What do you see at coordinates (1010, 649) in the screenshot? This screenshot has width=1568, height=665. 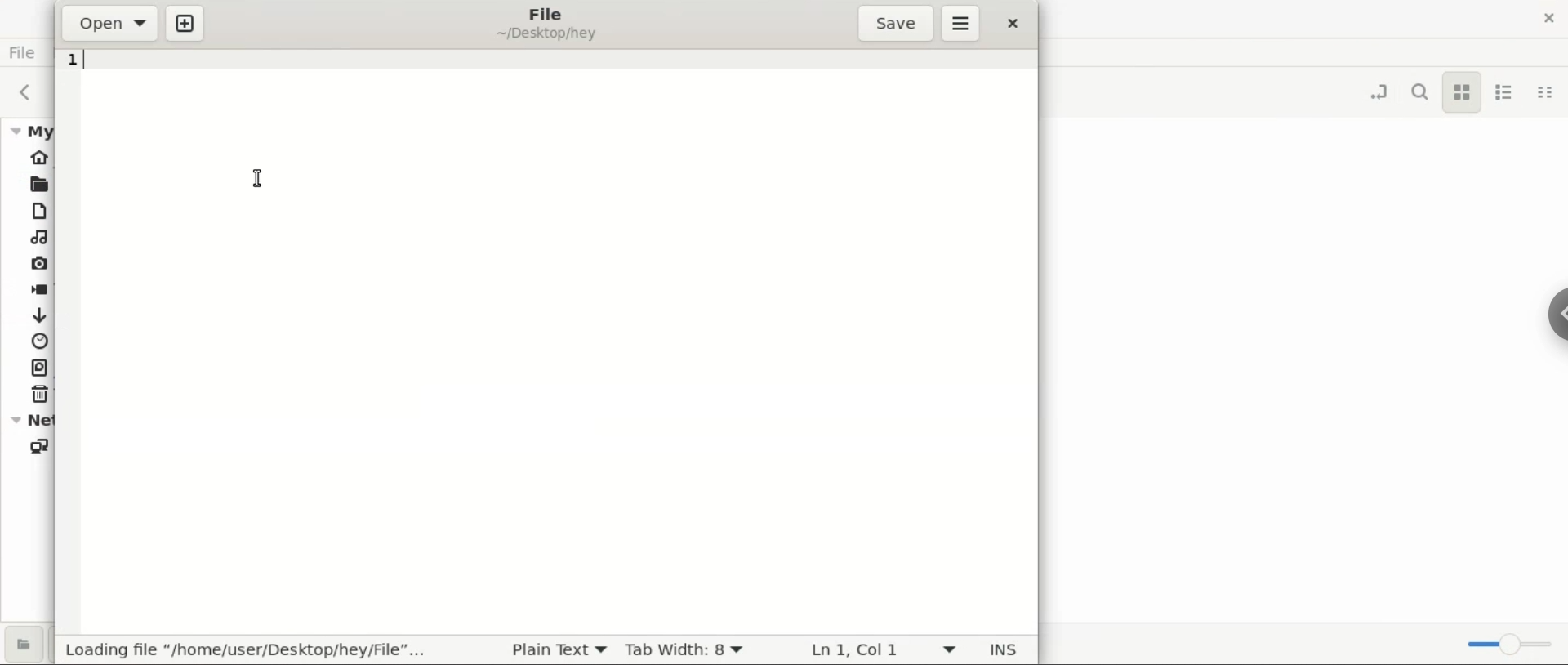 I see `INS` at bounding box center [1010, 649].